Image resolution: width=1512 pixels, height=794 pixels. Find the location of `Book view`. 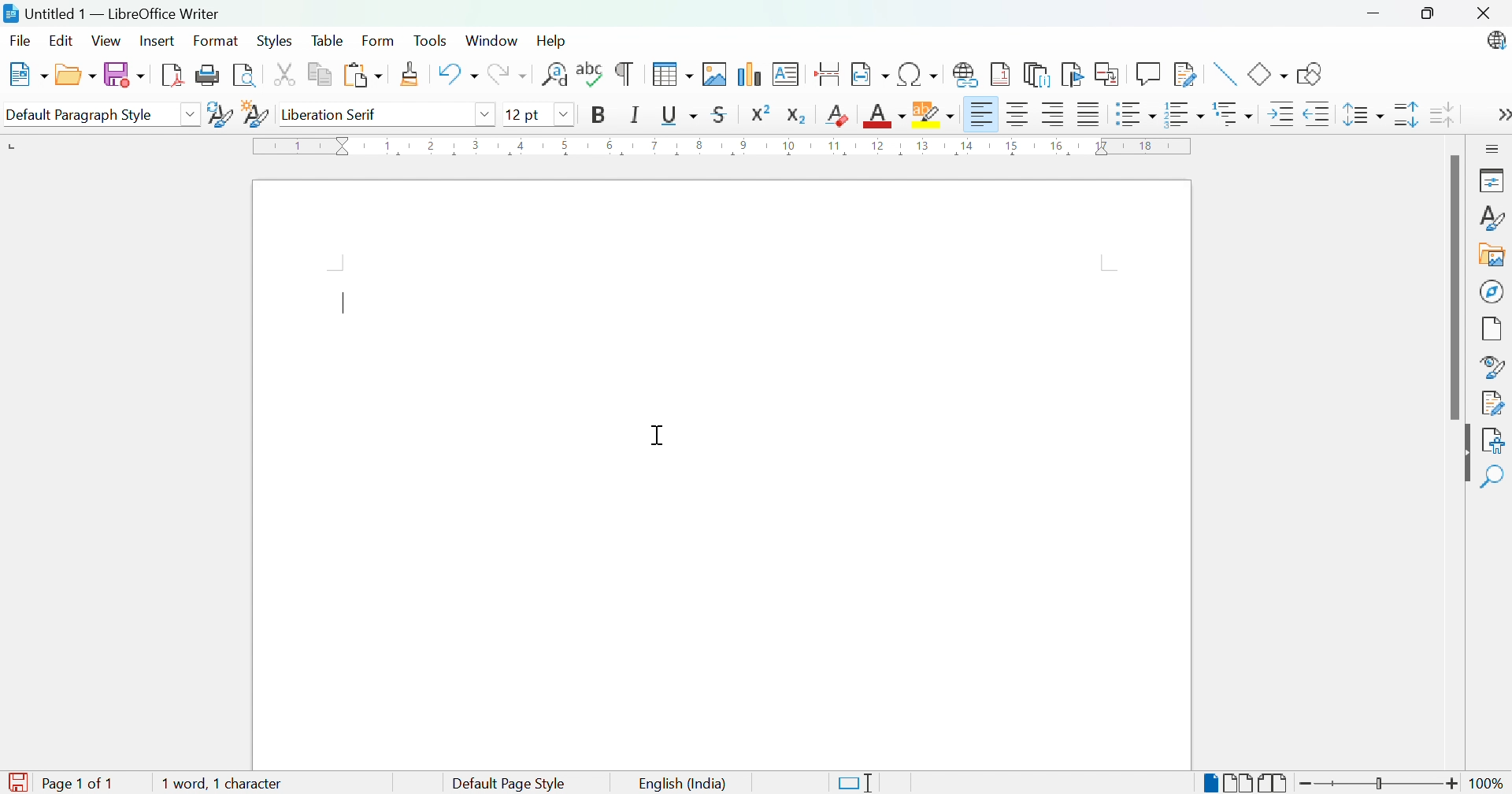

Book view is located at coordinates (1274, 783).